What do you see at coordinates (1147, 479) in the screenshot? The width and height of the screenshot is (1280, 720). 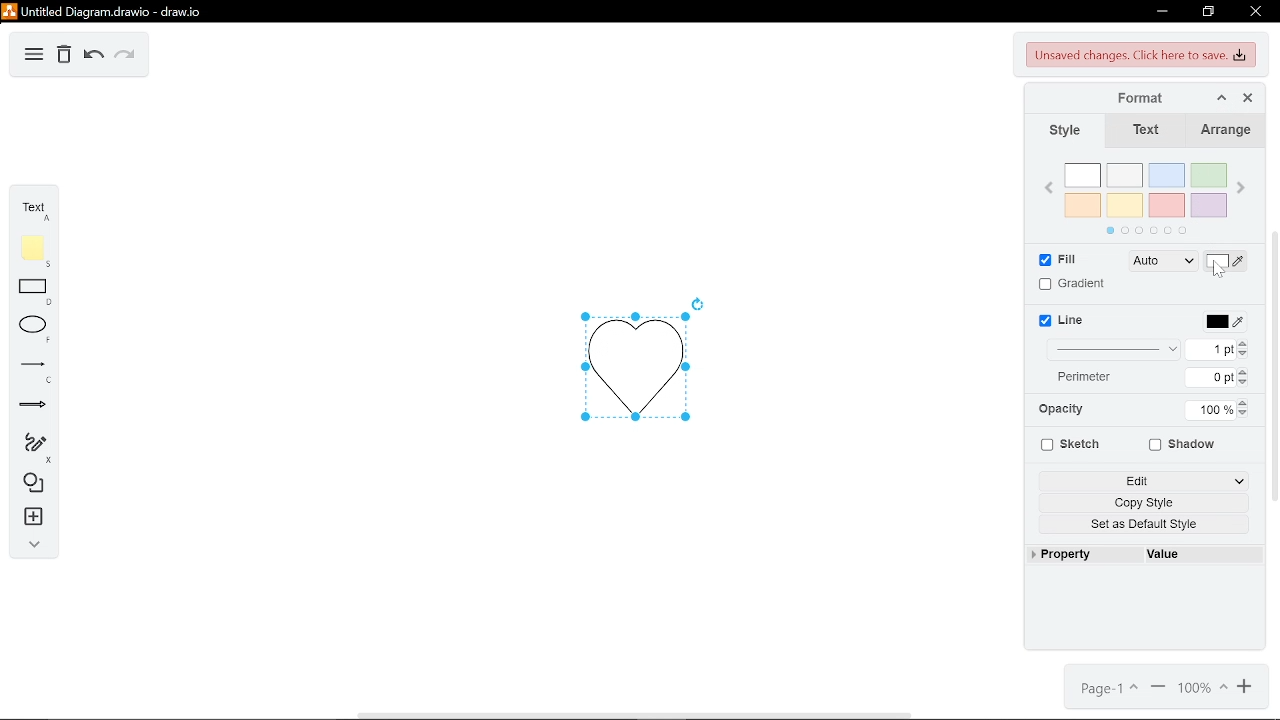 I see `edit` at bounding box center [1147, 479].